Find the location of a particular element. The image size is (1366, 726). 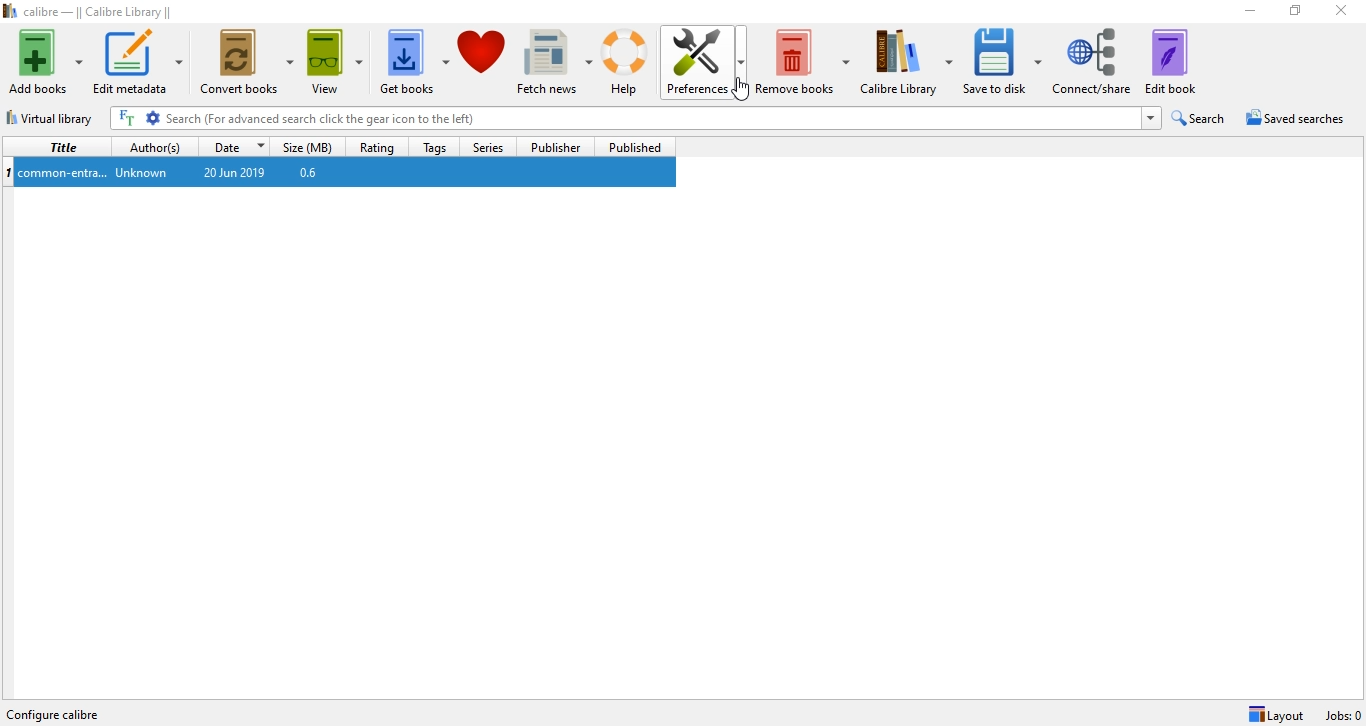

Help is located at coordinates (628, 62).